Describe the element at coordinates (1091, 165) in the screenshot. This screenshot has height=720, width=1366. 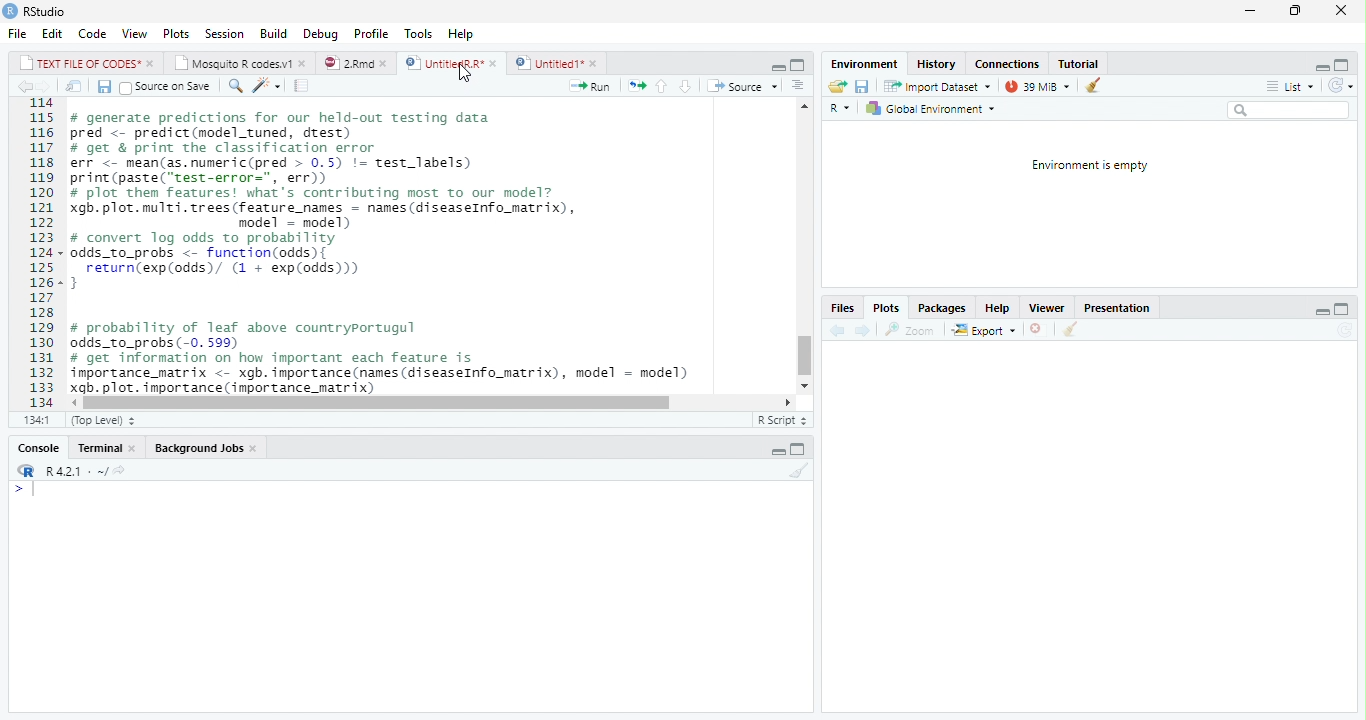
I see `Environment is empty` at that location.